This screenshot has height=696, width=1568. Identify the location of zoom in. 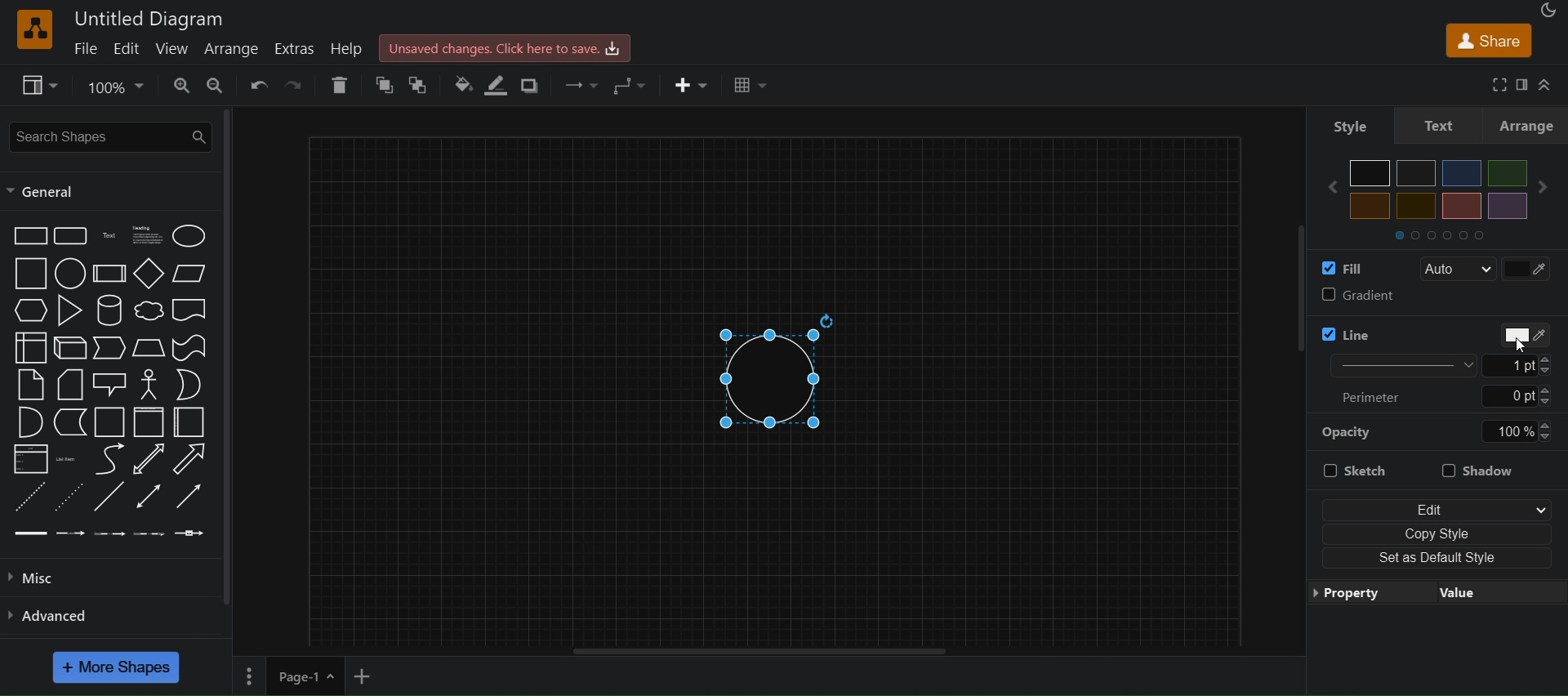
(181, 86).